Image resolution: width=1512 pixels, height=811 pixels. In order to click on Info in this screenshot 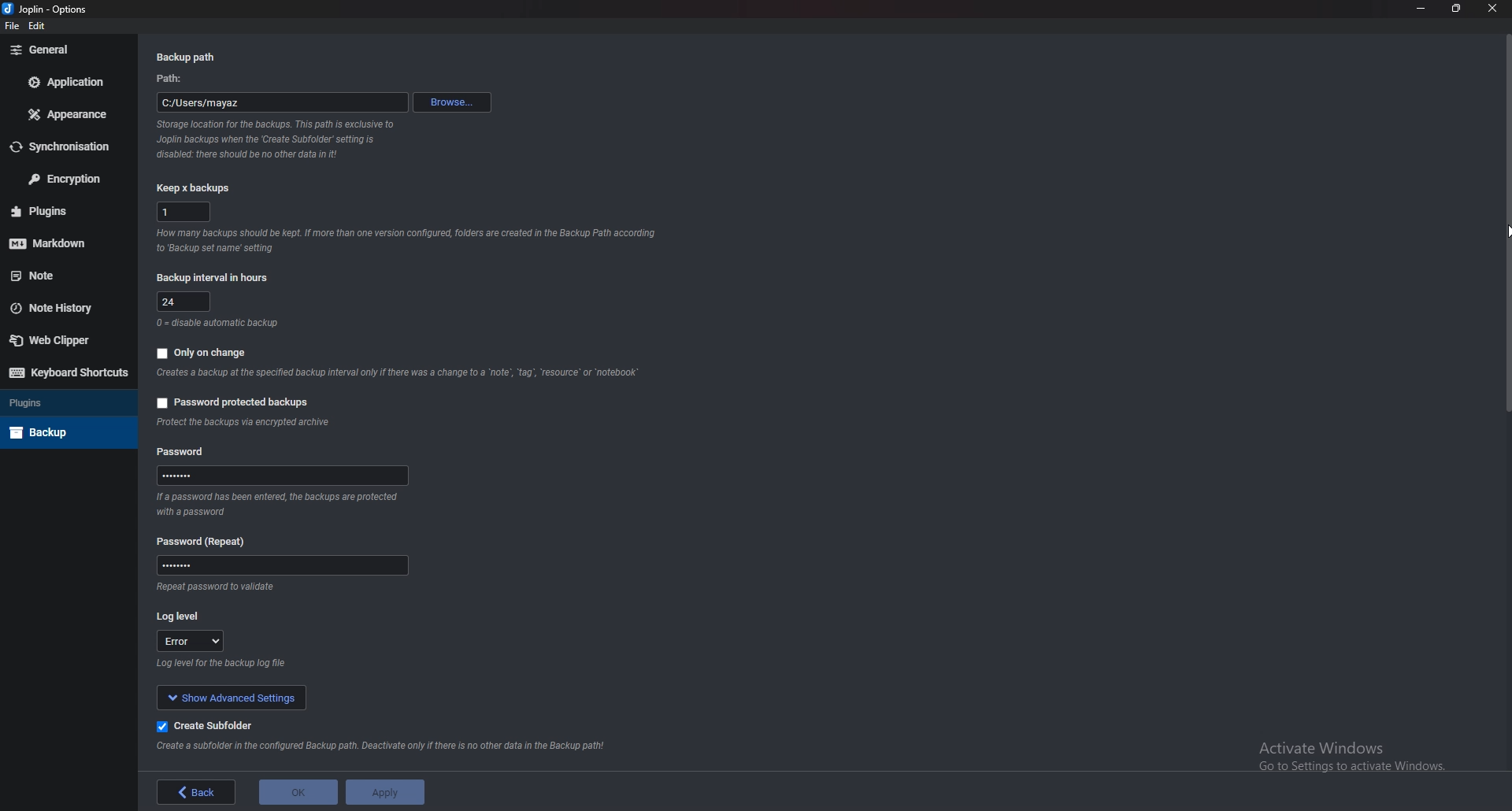, I will do `click(219, 323)`.